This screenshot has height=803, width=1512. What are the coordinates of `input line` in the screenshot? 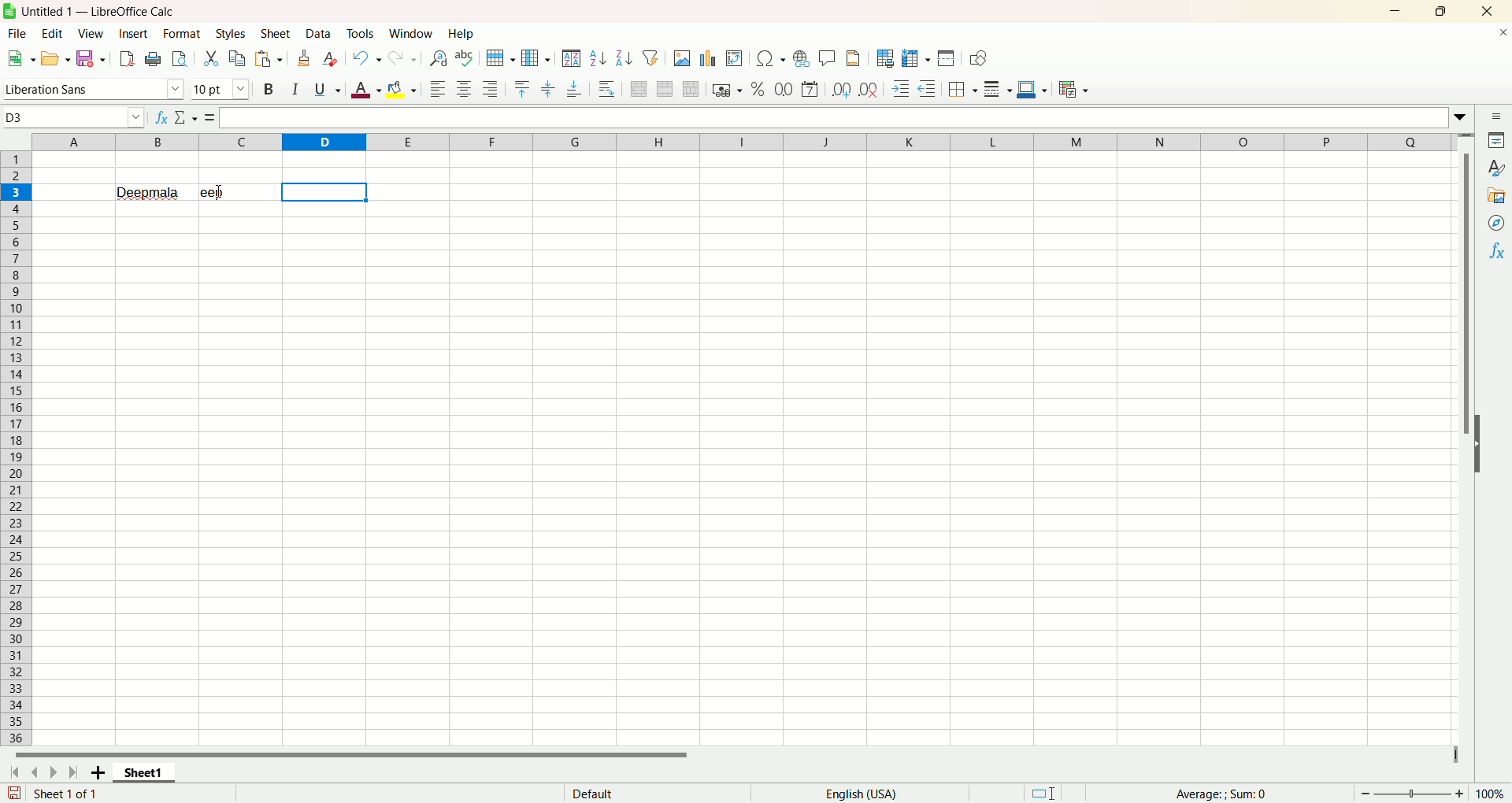 It's located at (845, 117).